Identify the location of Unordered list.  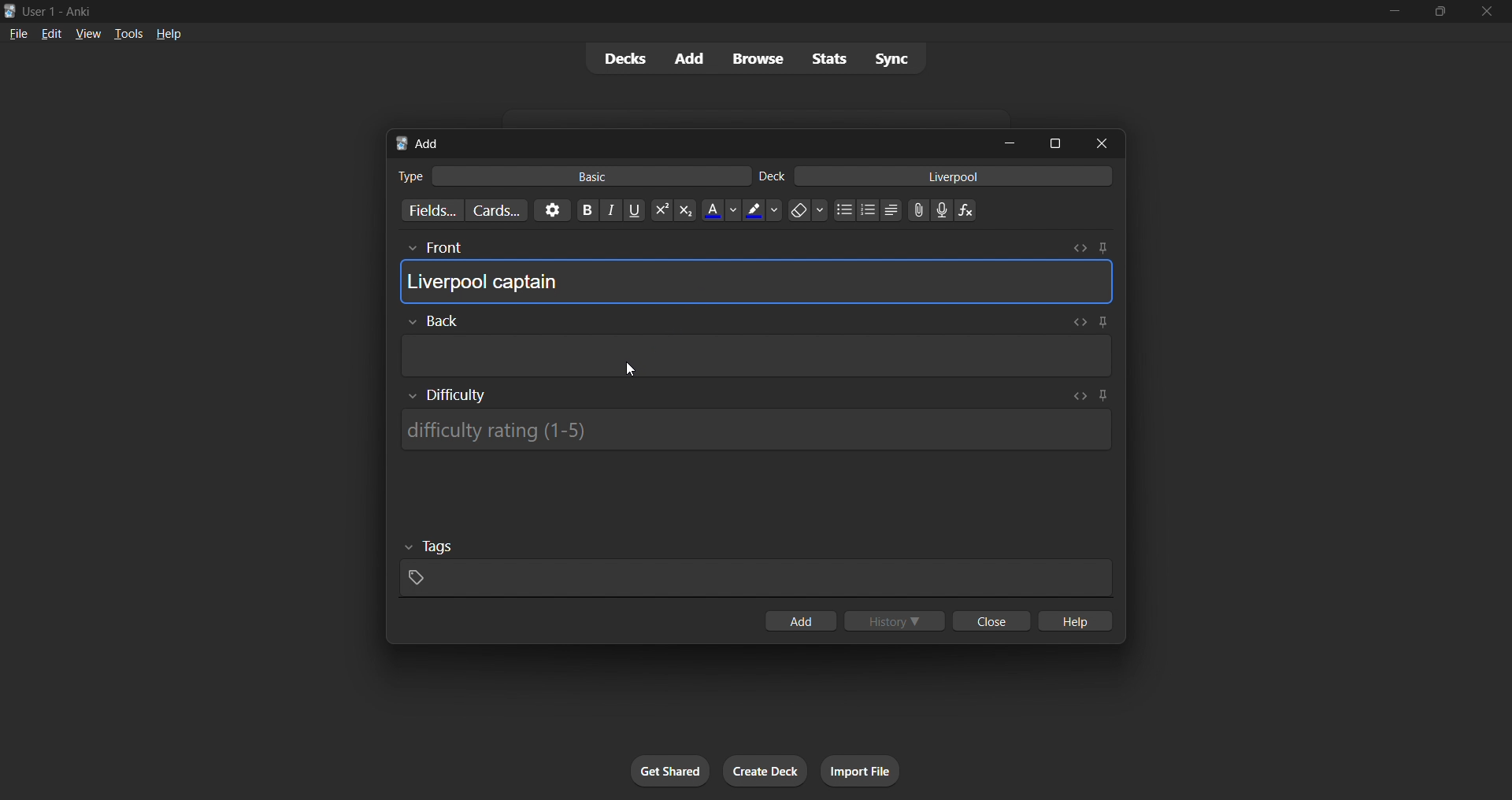
(845, 209).